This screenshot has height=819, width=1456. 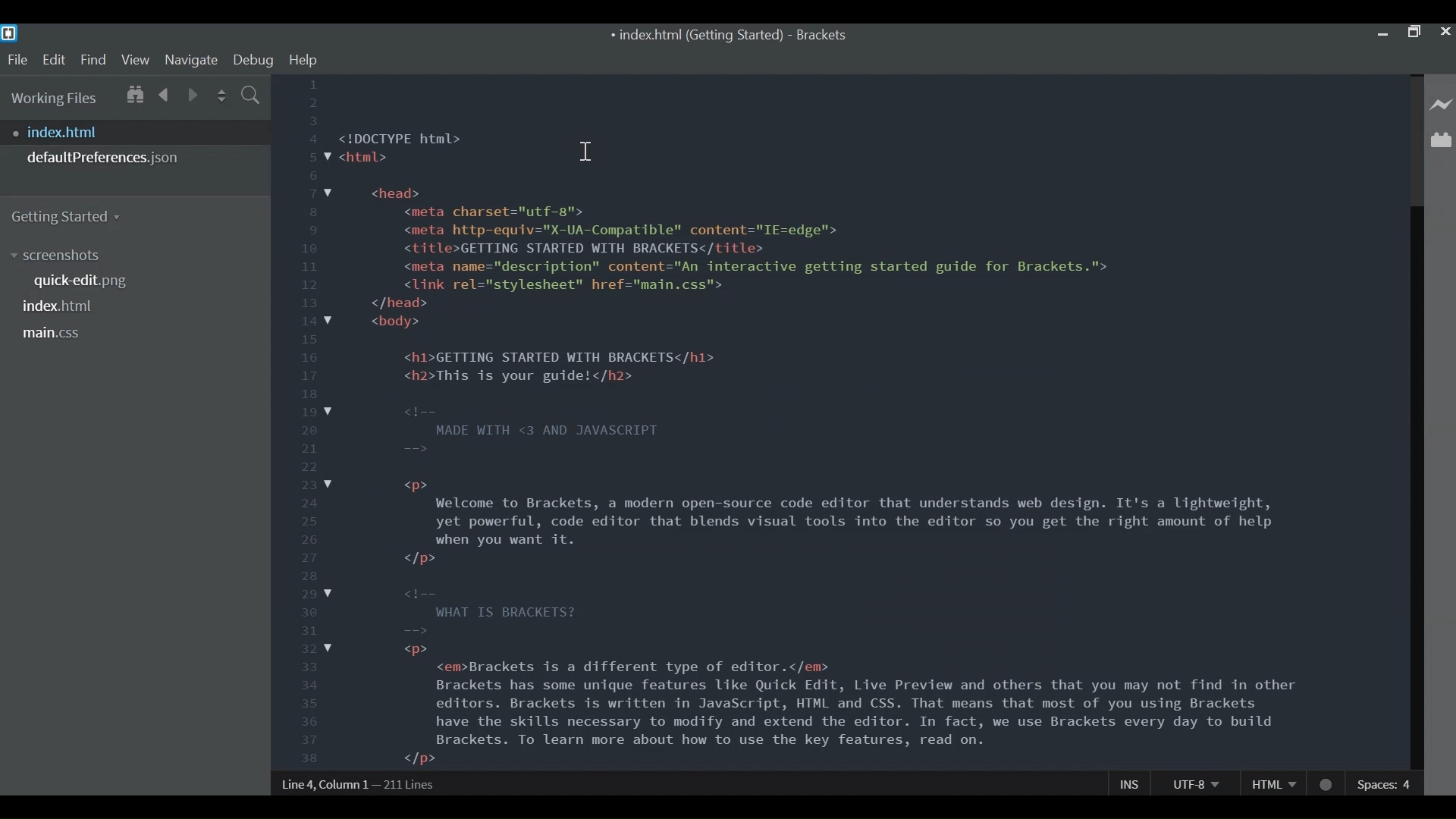 I want to click on index.html (Getting Started), so click(x=695, y=36).